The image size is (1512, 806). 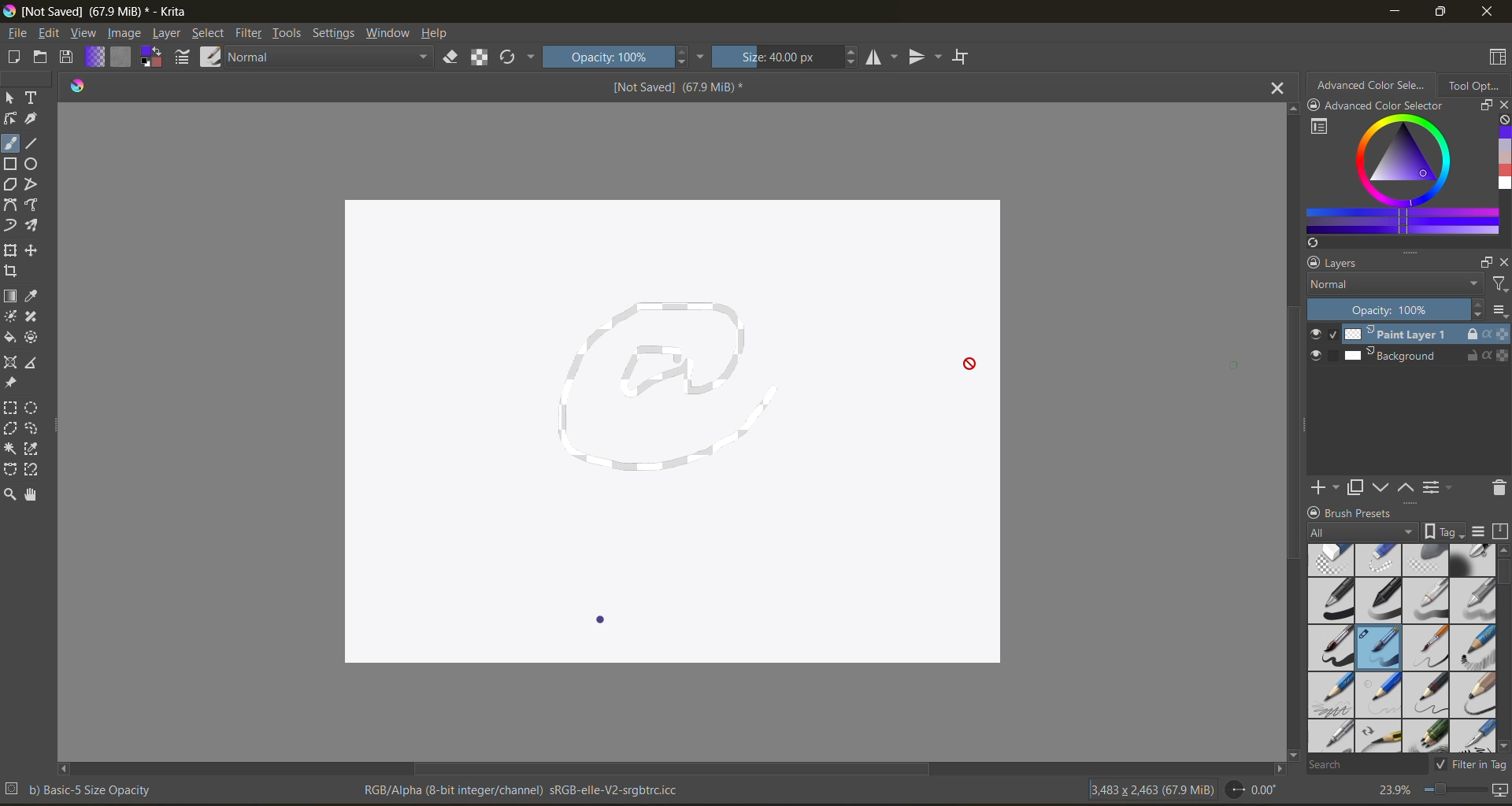 What do you see at coordinates (1314, 335) in the screenshot?
I see `visible` at bounding box center [1314, 335].